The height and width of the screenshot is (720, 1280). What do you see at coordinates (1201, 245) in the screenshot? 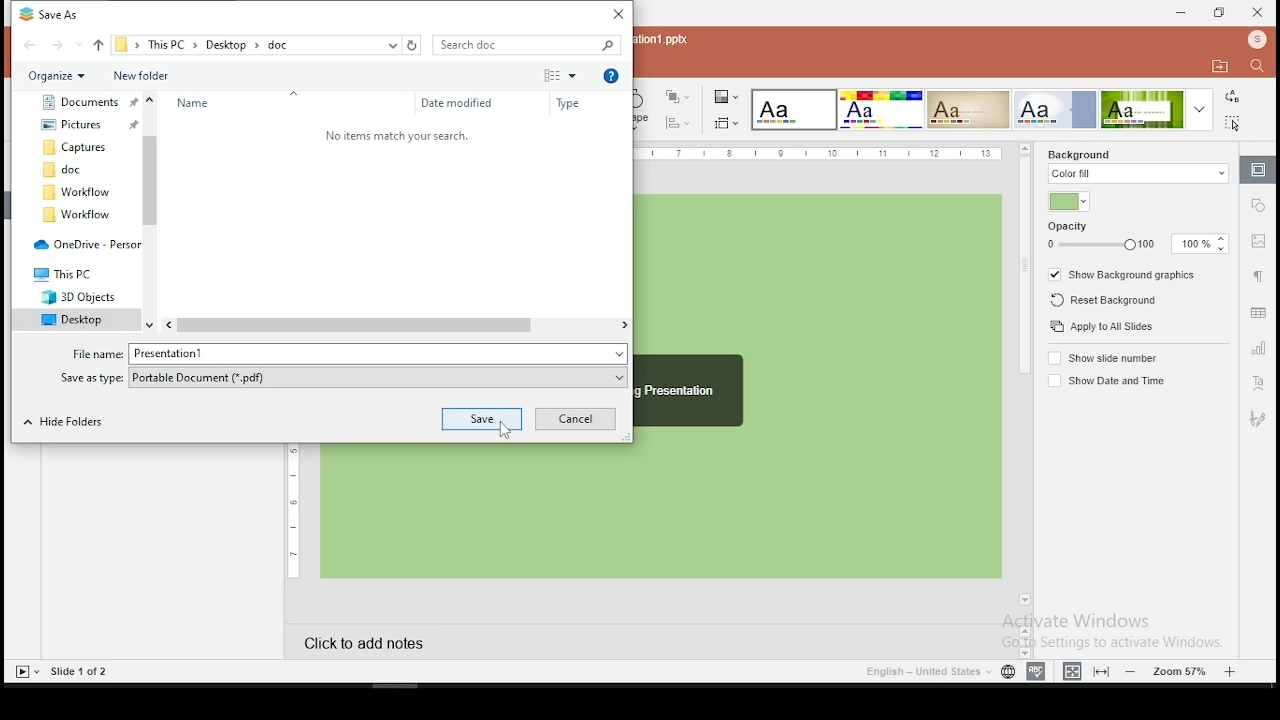
I see `opacity input` at bounding box center [1201, 245].